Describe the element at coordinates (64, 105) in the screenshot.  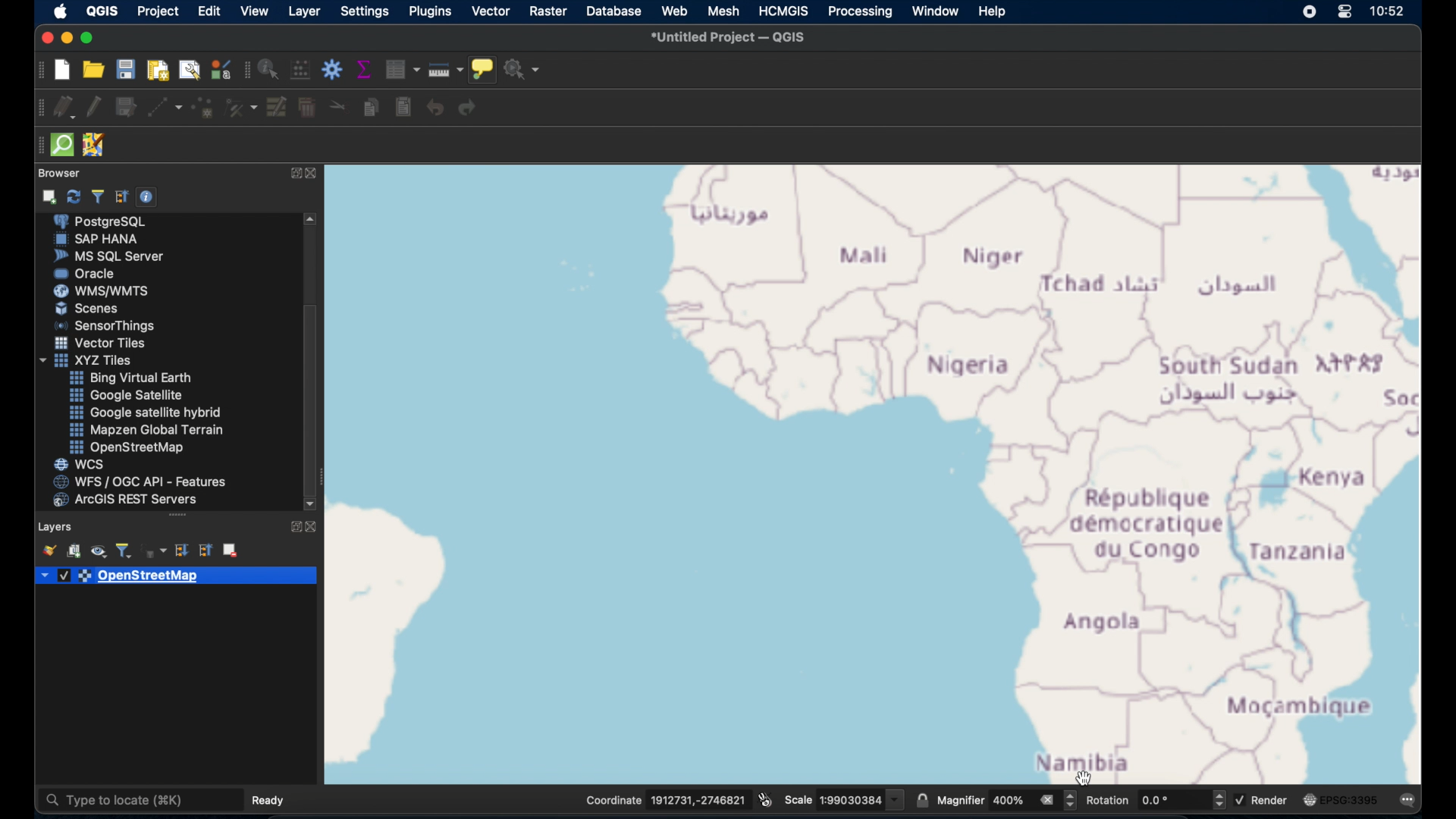
I see `current edits` at that location.